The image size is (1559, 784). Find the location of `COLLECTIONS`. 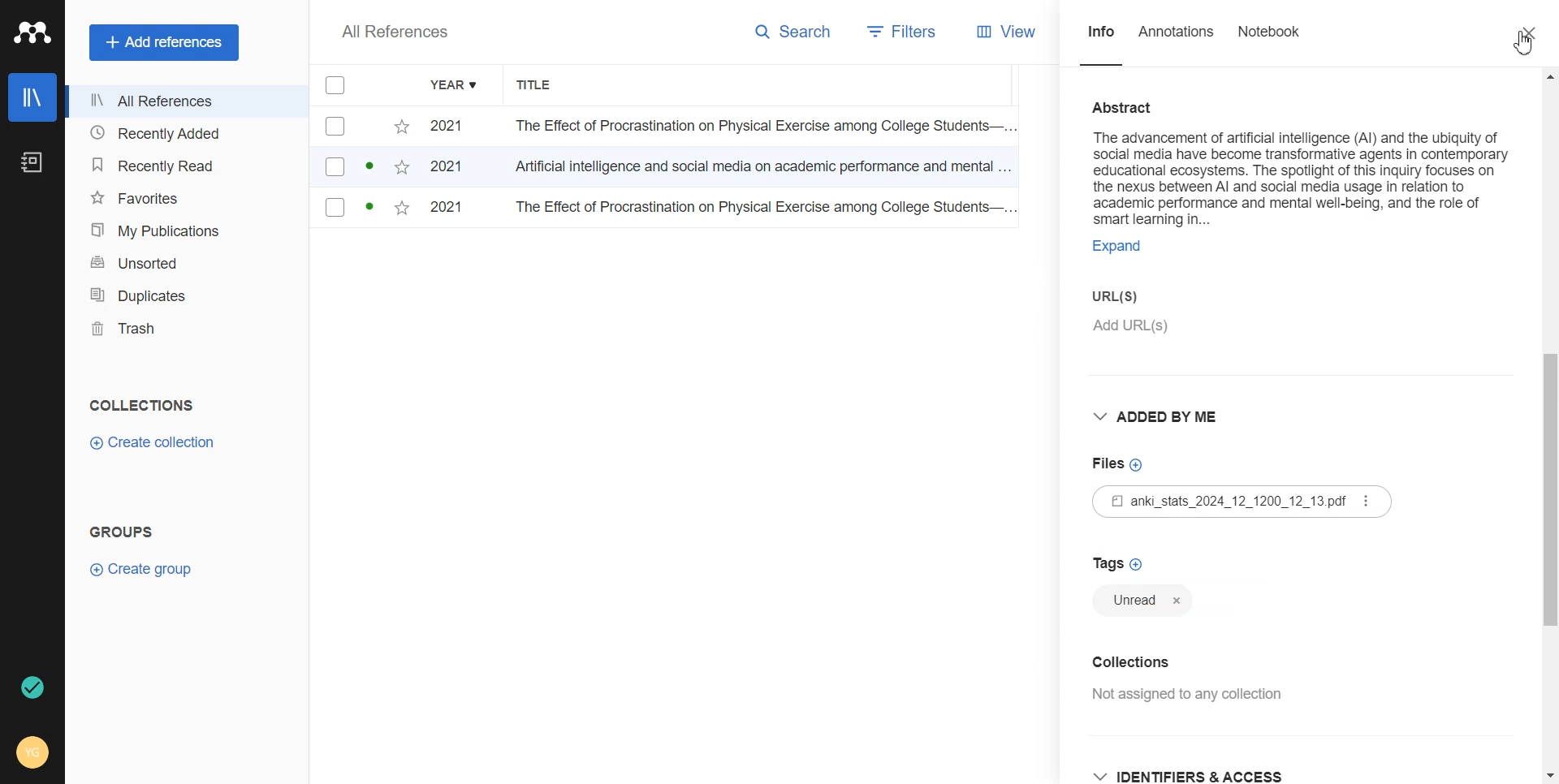

COLLECTIONS is located at coordinates (145, 405).